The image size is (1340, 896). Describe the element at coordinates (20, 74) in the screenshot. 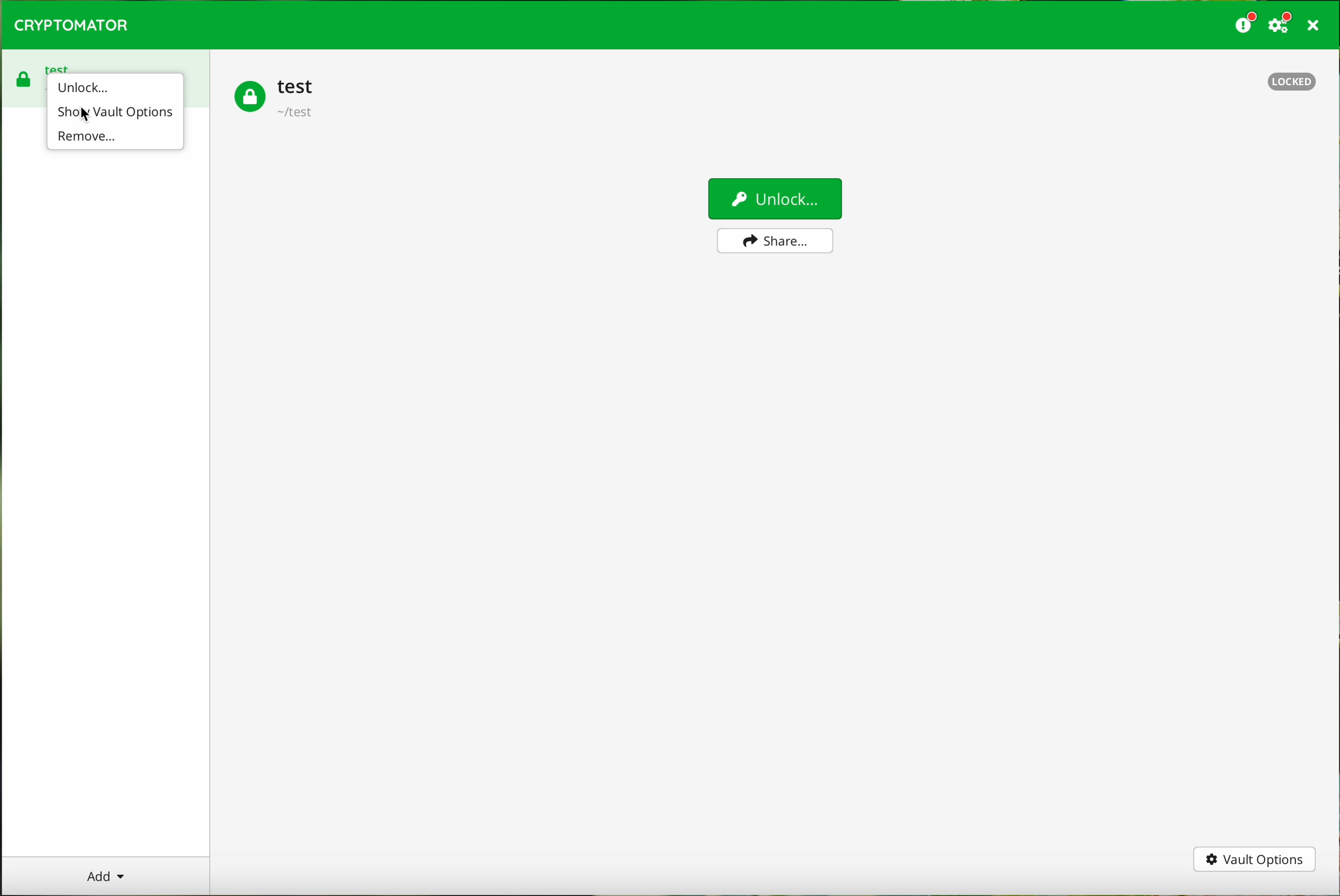

I see `test vault` at that location.